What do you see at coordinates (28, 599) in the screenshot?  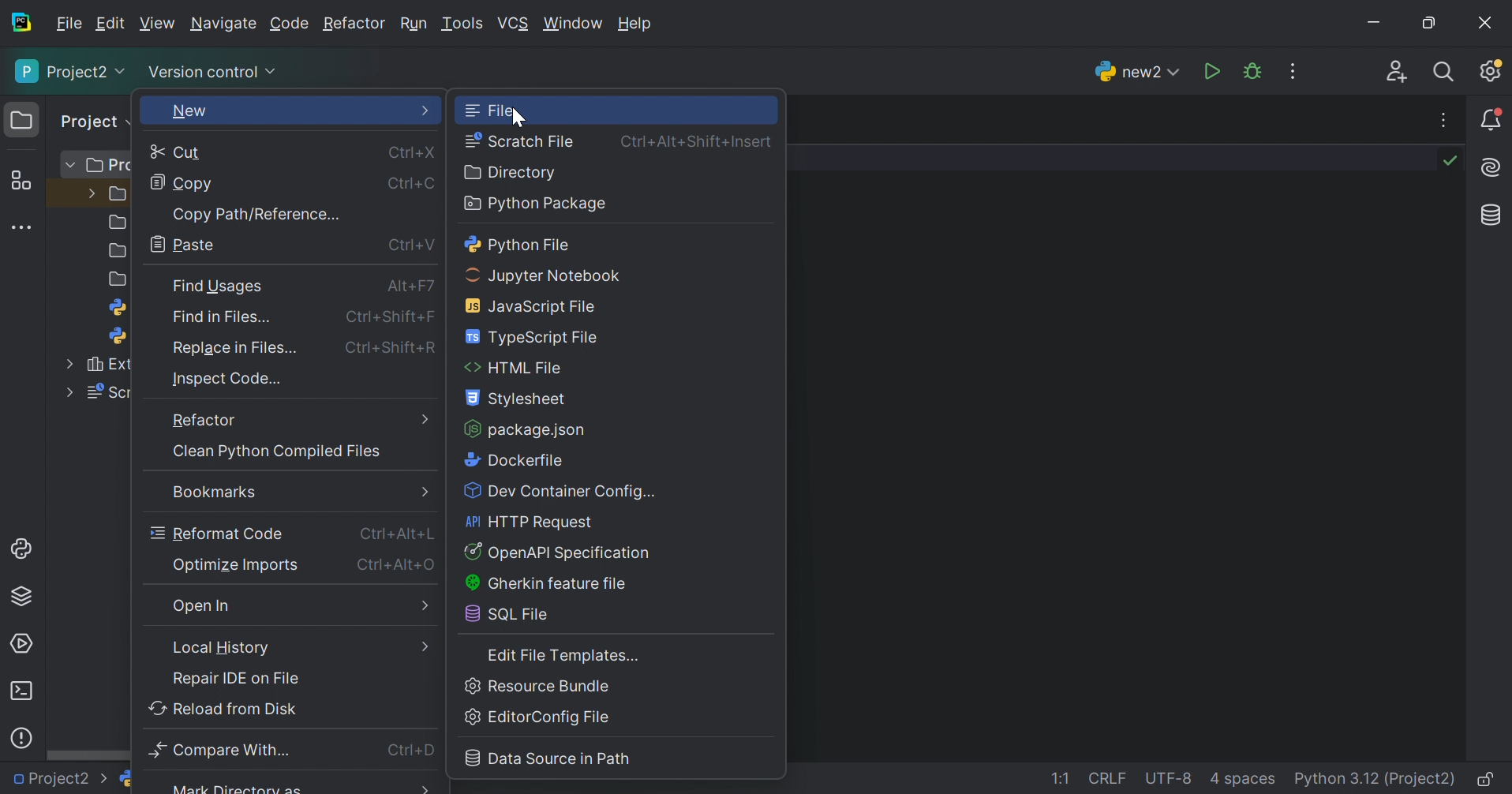 I see `Python Packages` at bounding box center [28, 599].